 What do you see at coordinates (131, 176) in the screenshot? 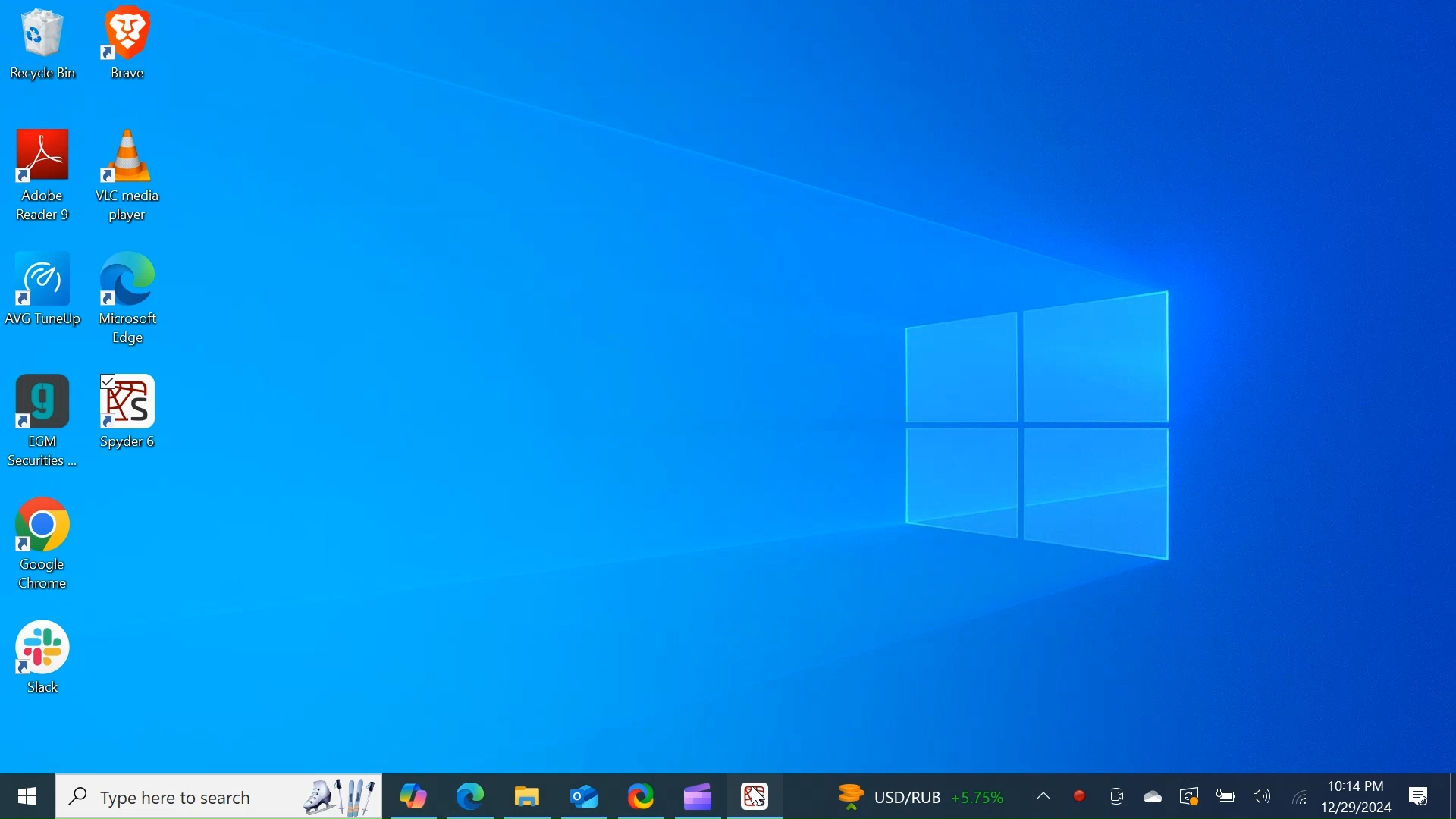
I see `VLC Media Desktop Icon` at bounding box center [131, 176].